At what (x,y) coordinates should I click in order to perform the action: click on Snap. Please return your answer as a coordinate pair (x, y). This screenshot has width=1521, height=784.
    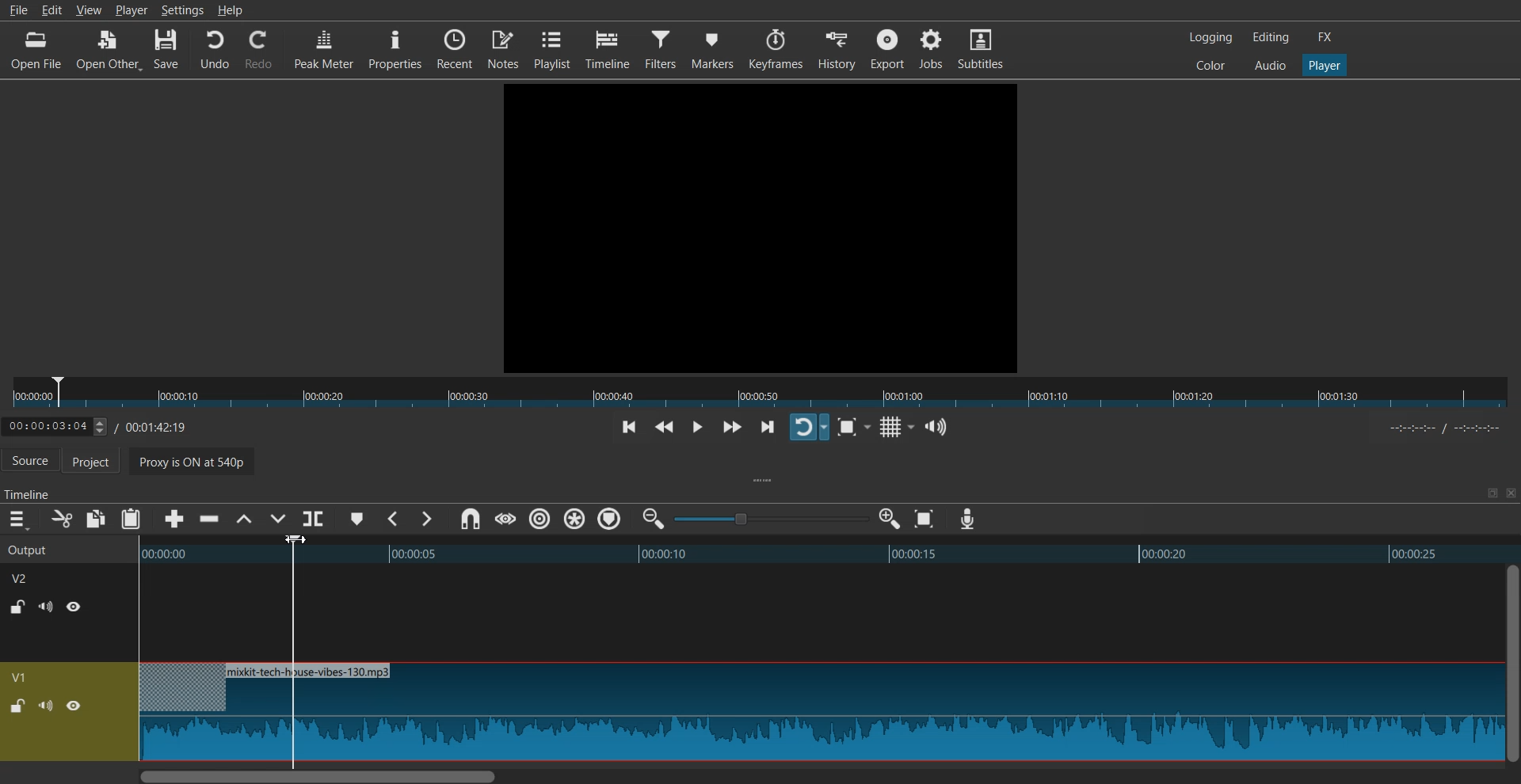
    Looking at the image, I should click on (470, 519).